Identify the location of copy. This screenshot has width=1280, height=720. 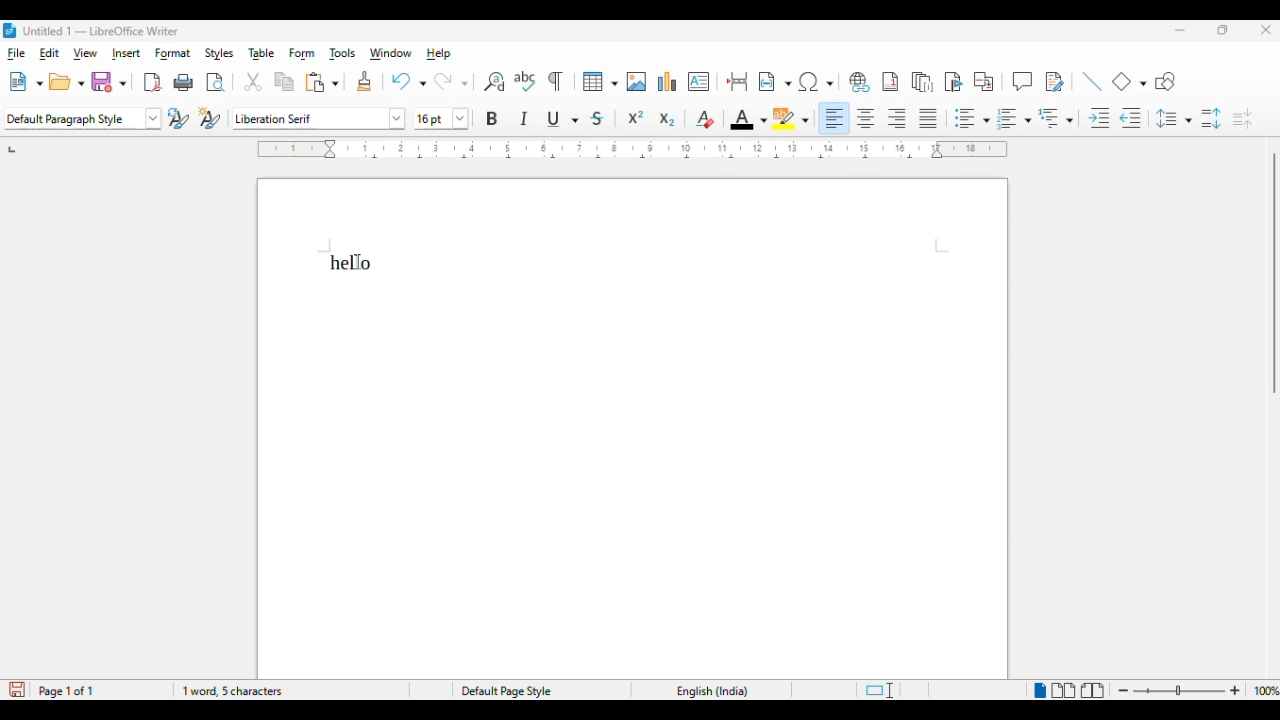
(285, 83).